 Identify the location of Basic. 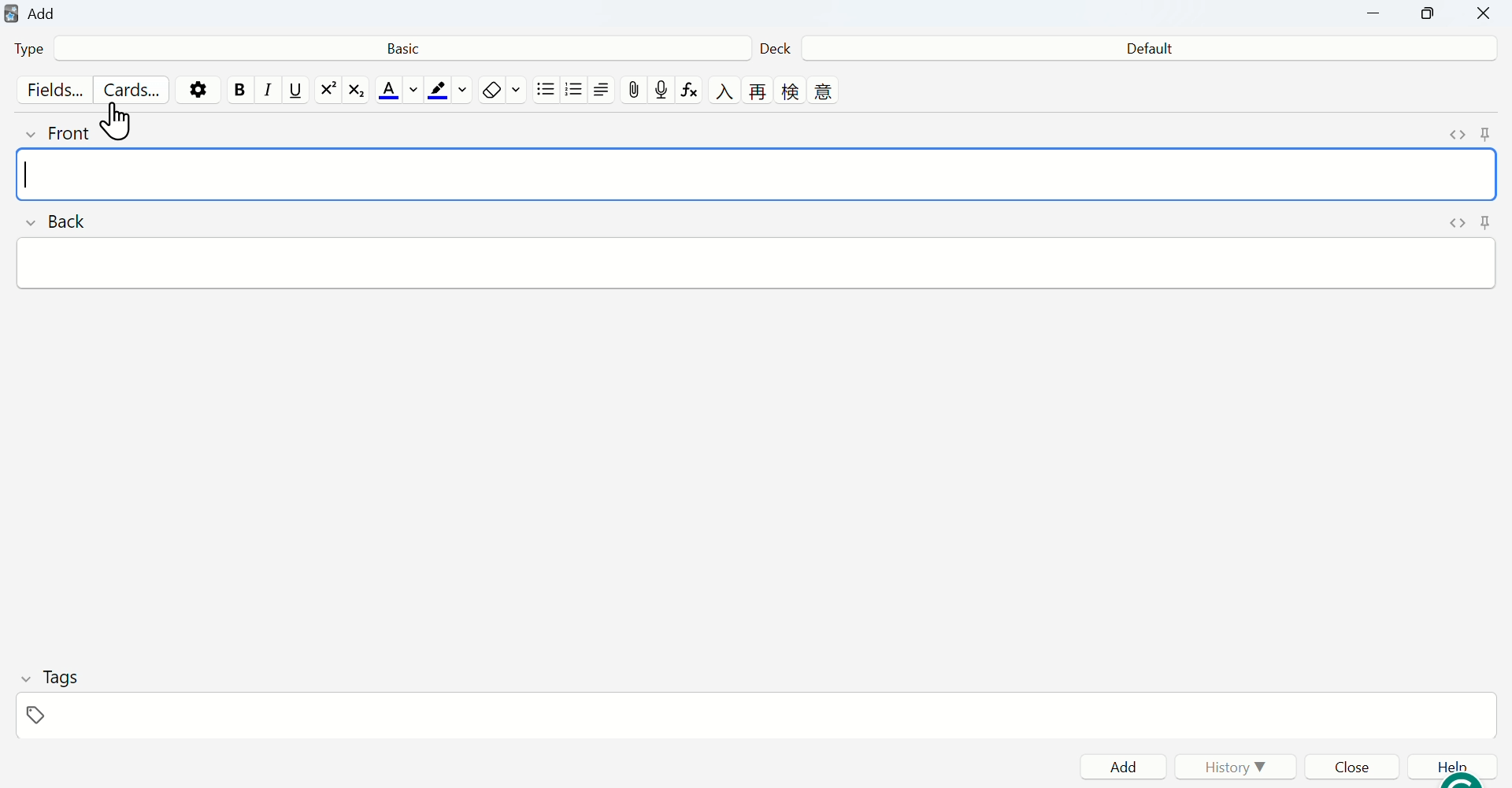
(402, 46).